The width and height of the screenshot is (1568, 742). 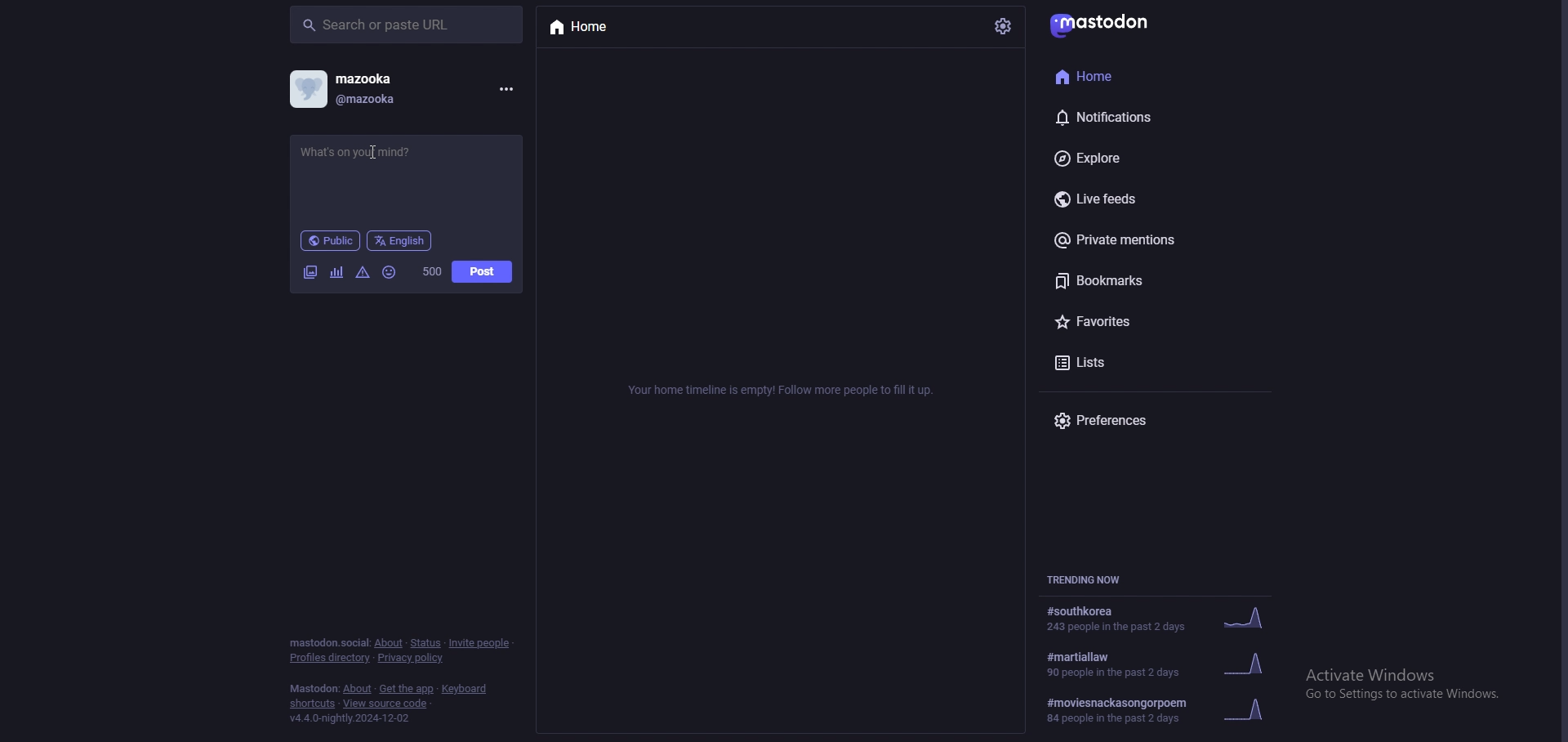 What do you see at coordinates (1111, 419) in the screenshot?
I see `preferences` at bounding box center [1111, 419].